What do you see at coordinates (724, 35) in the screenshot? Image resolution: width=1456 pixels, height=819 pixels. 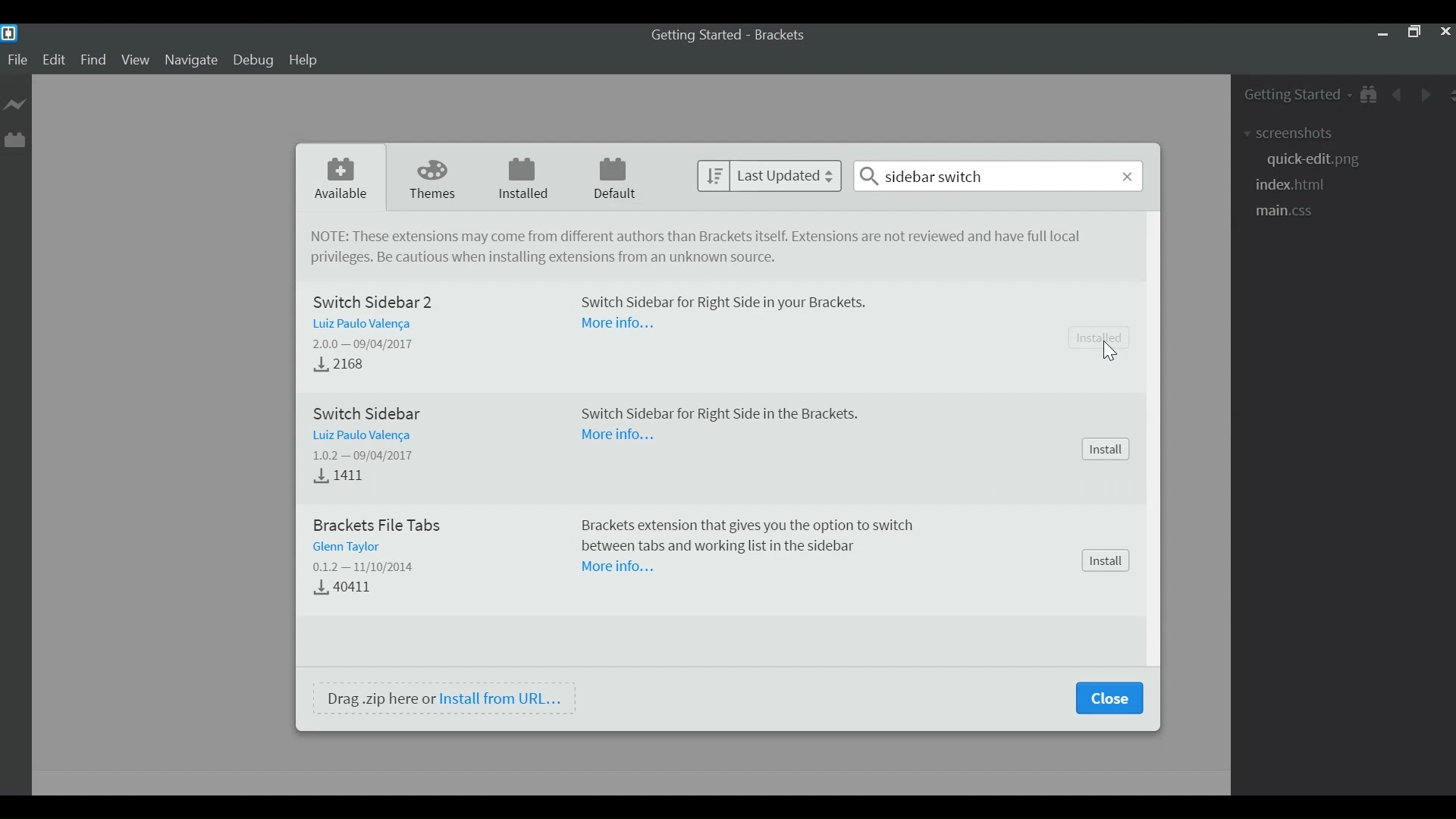 I see `Getting Started - Brackets` at bounding box center [724, 35].